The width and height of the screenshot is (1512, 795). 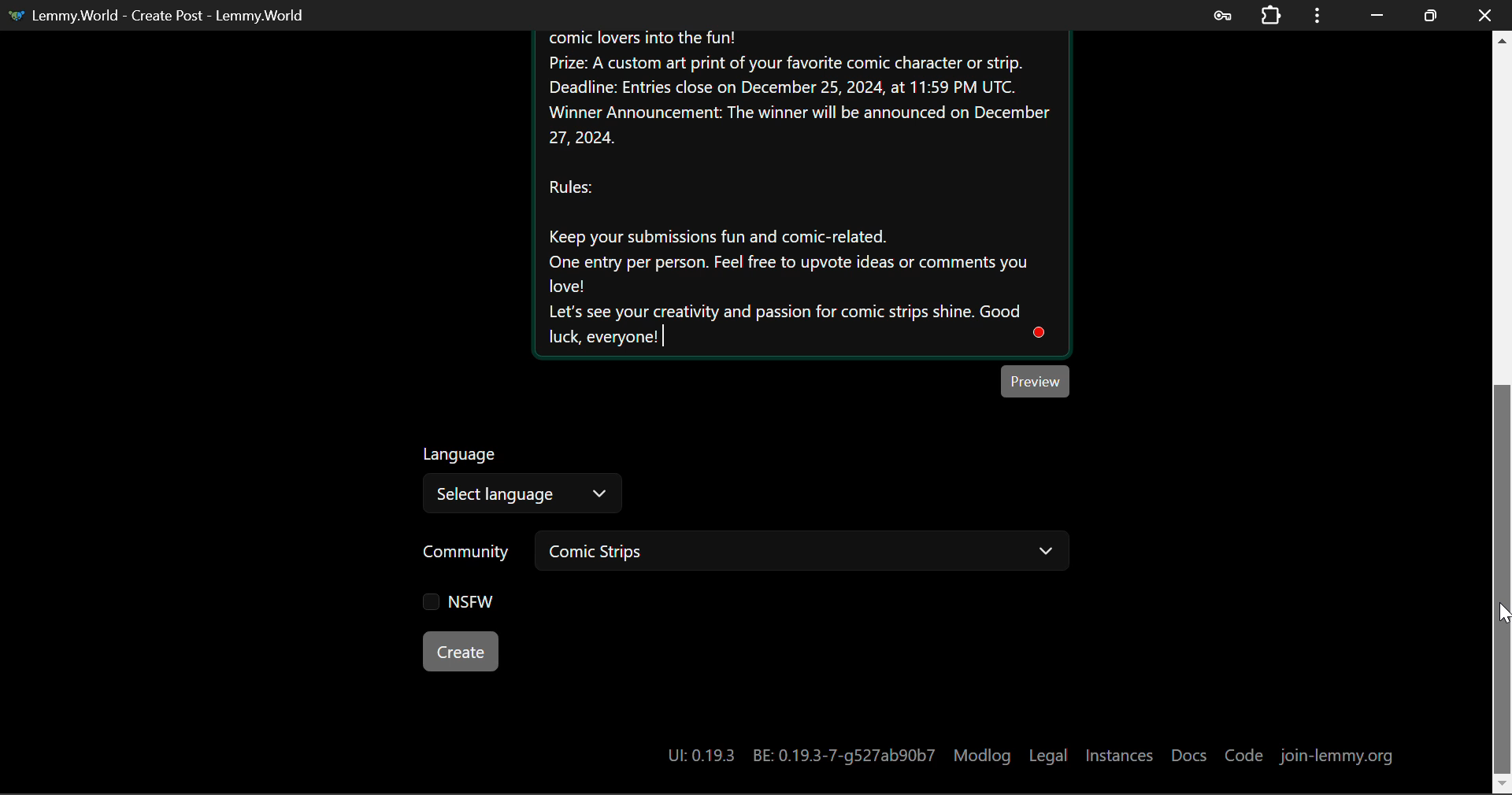 What do you see at coordinates (1501, 611) in the screenshot?
I see `DRAG_TO Cursor Position` at bounding box center [1501, 611].